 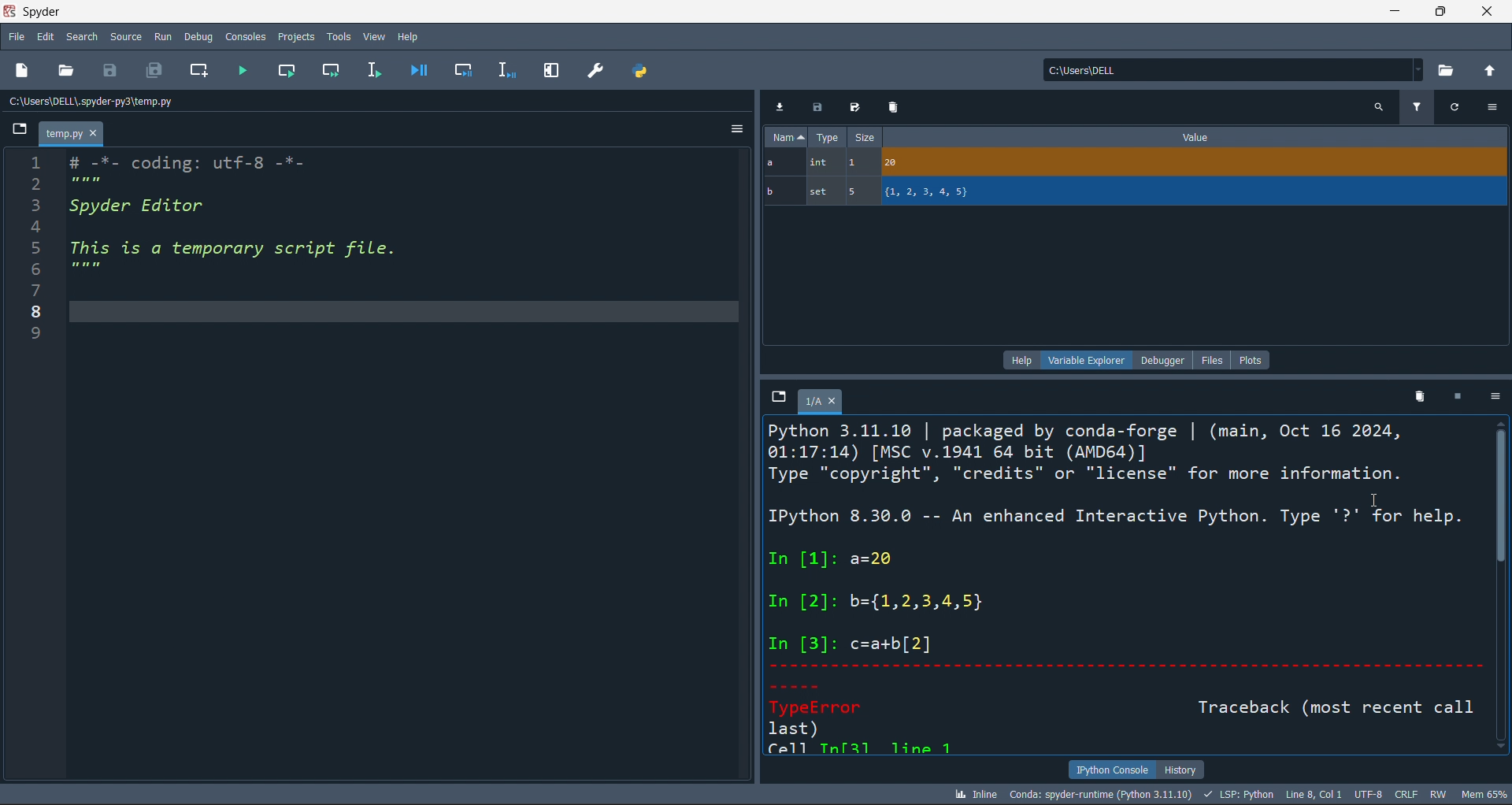 What do you see at coordinates (243, 73) in the screenshot?
I see `run file` at bounding box center [243, 73].